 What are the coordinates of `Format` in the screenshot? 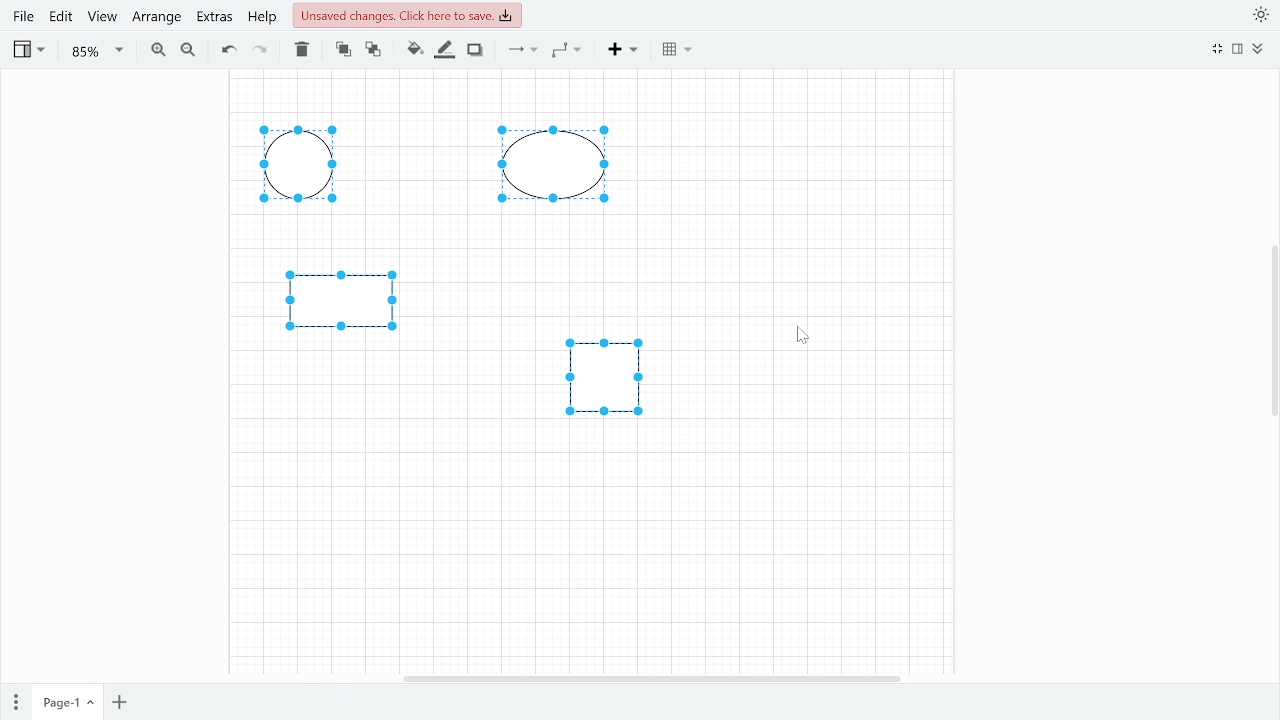 It's located at (1238, 51).